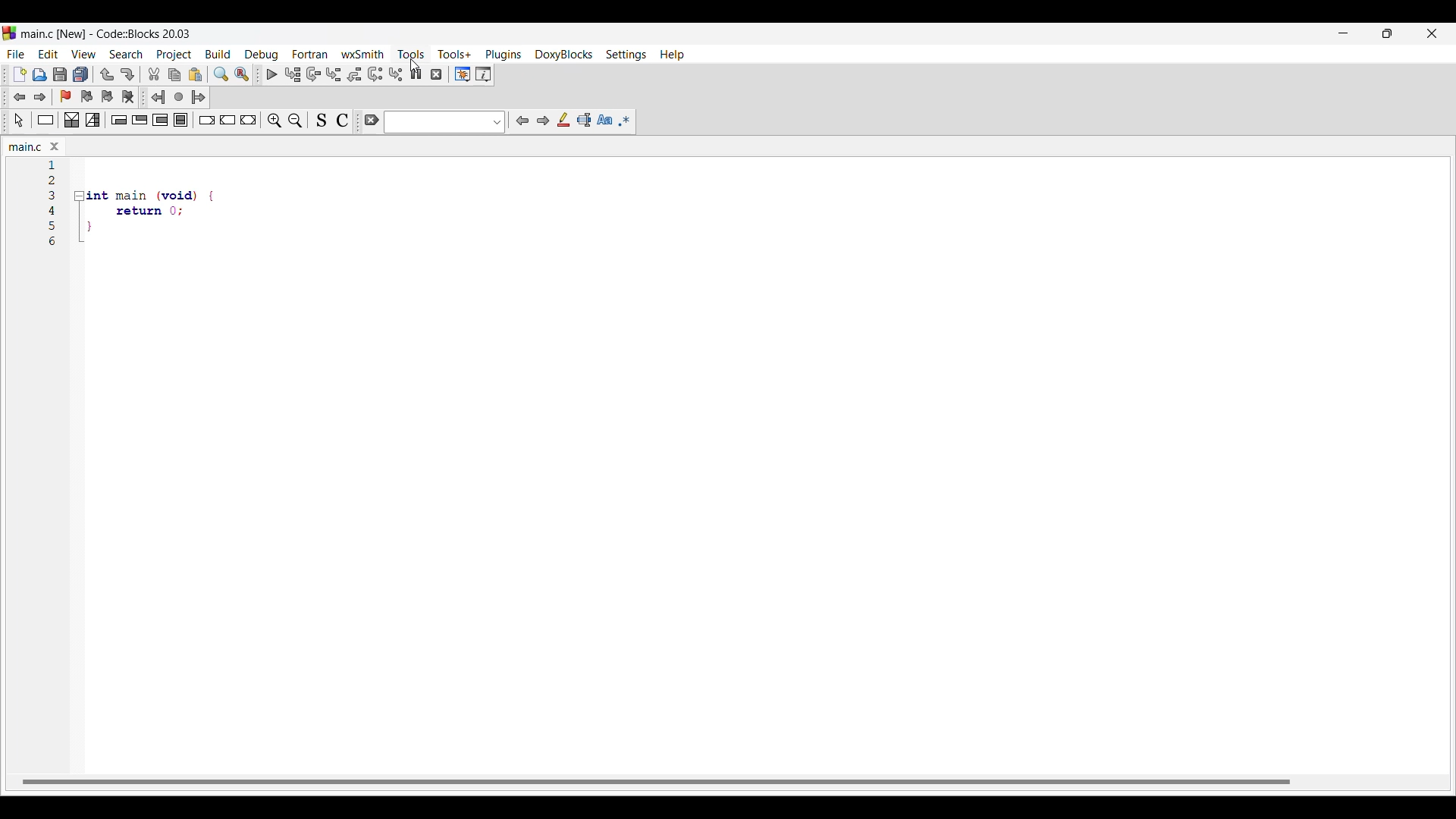 The height and width of the screenshot is (819, 1456). Describe the element at coordinates (563, 120) in the screenshot. I see `Highlight` at that location.